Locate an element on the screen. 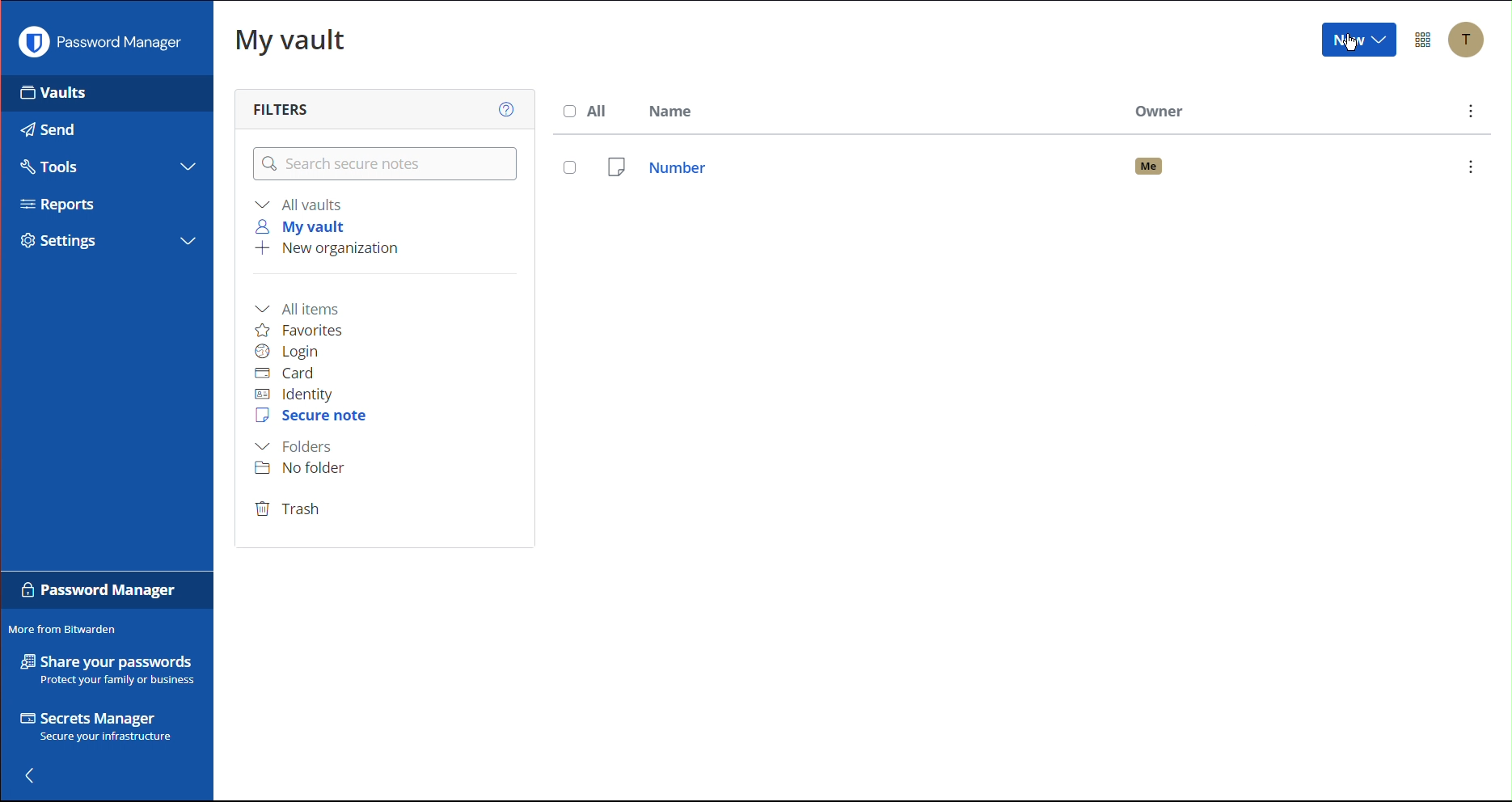  Secure Note is located at coordinates (313, 416).